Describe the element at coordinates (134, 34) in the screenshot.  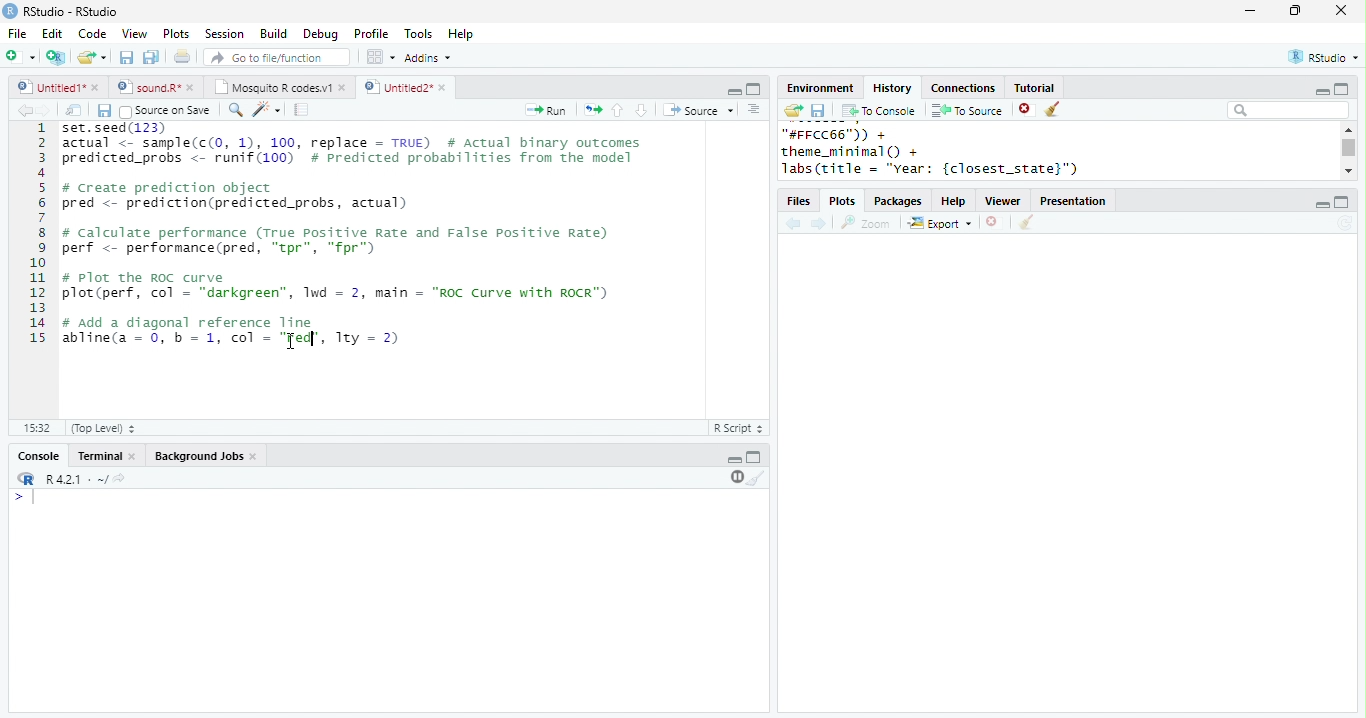
I see `View` at that location.